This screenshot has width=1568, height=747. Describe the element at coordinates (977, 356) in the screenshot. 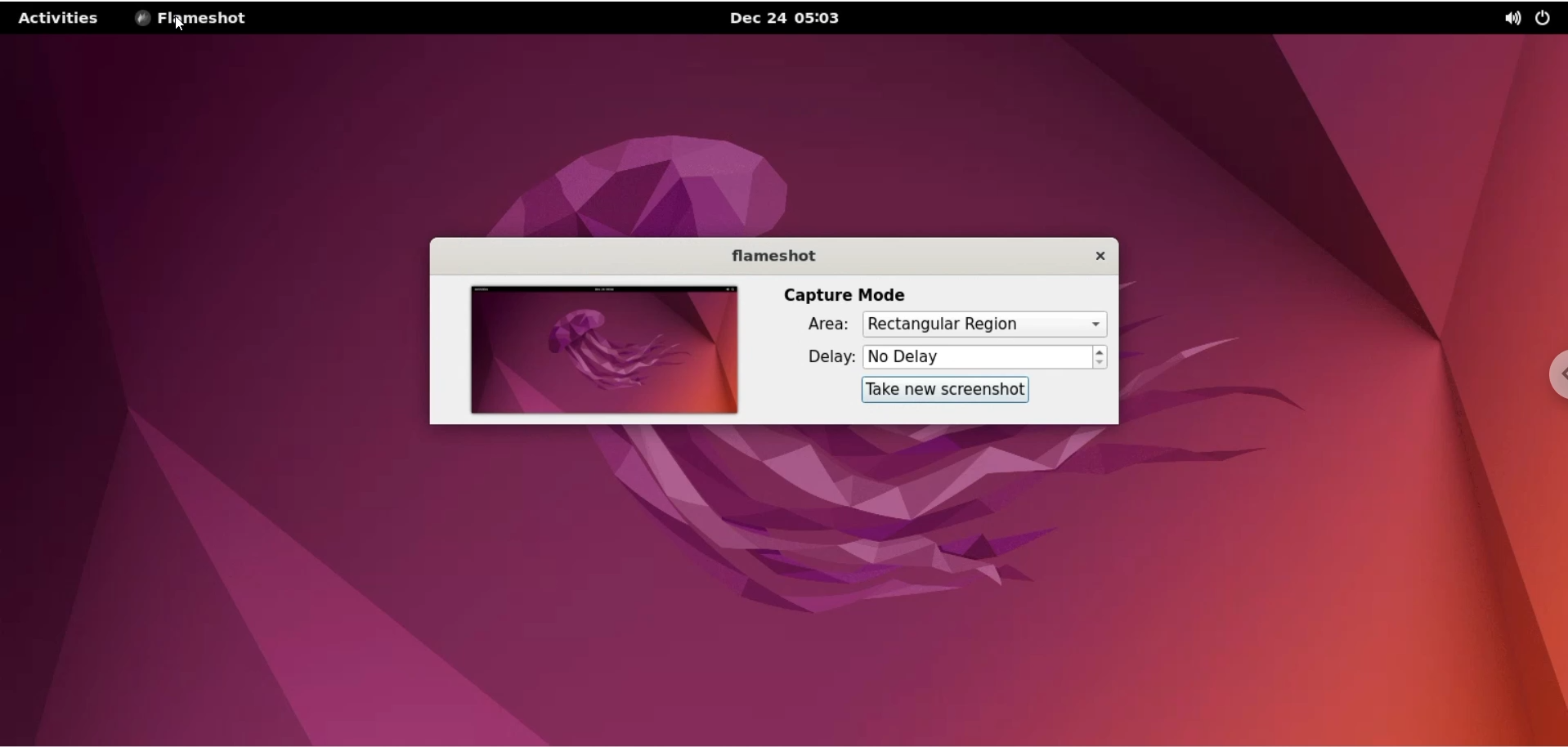

I see `No Delay` at that location.